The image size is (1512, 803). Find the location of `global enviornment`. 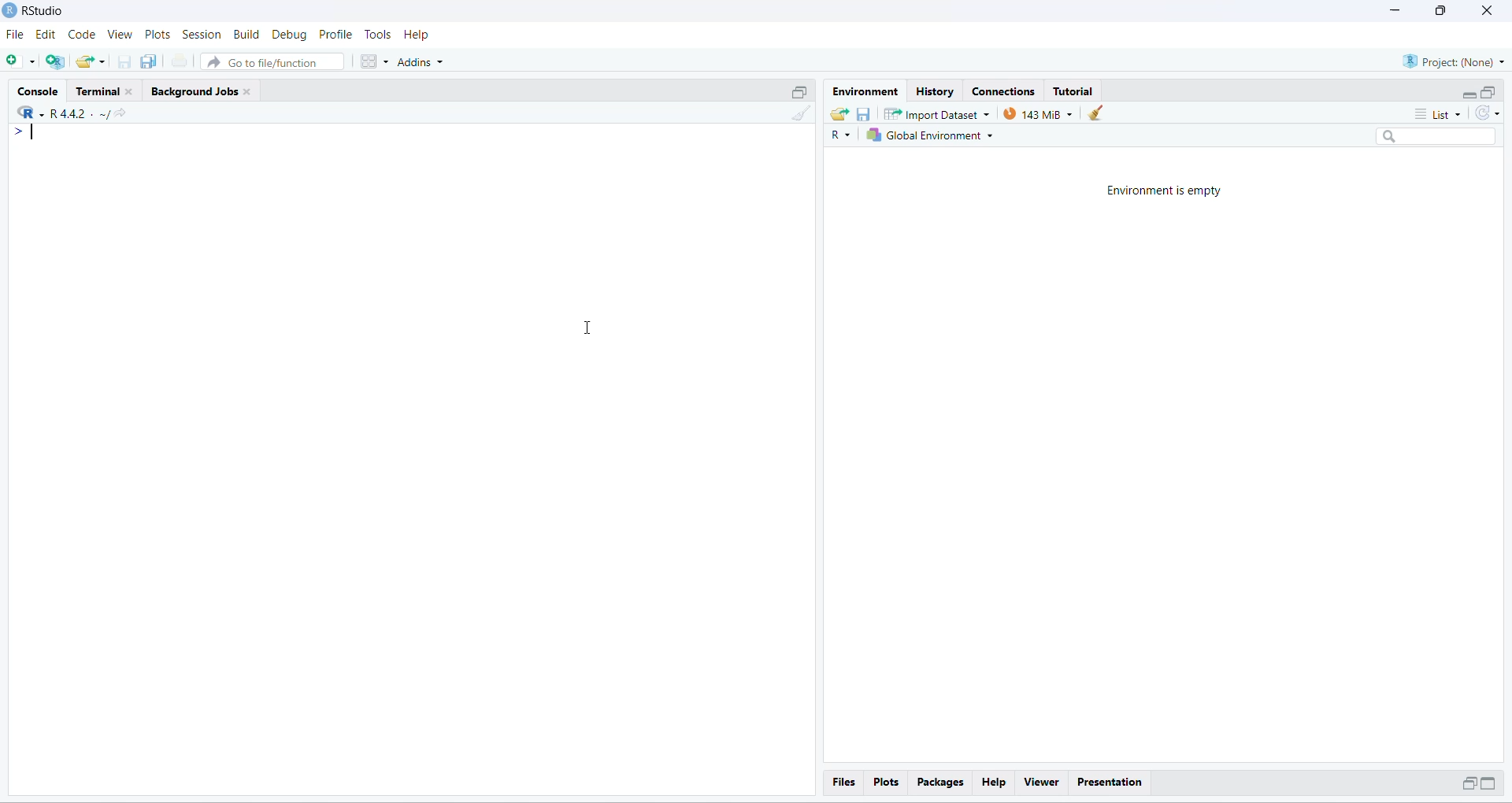

global enviornment is located at coordinates (933, 135).